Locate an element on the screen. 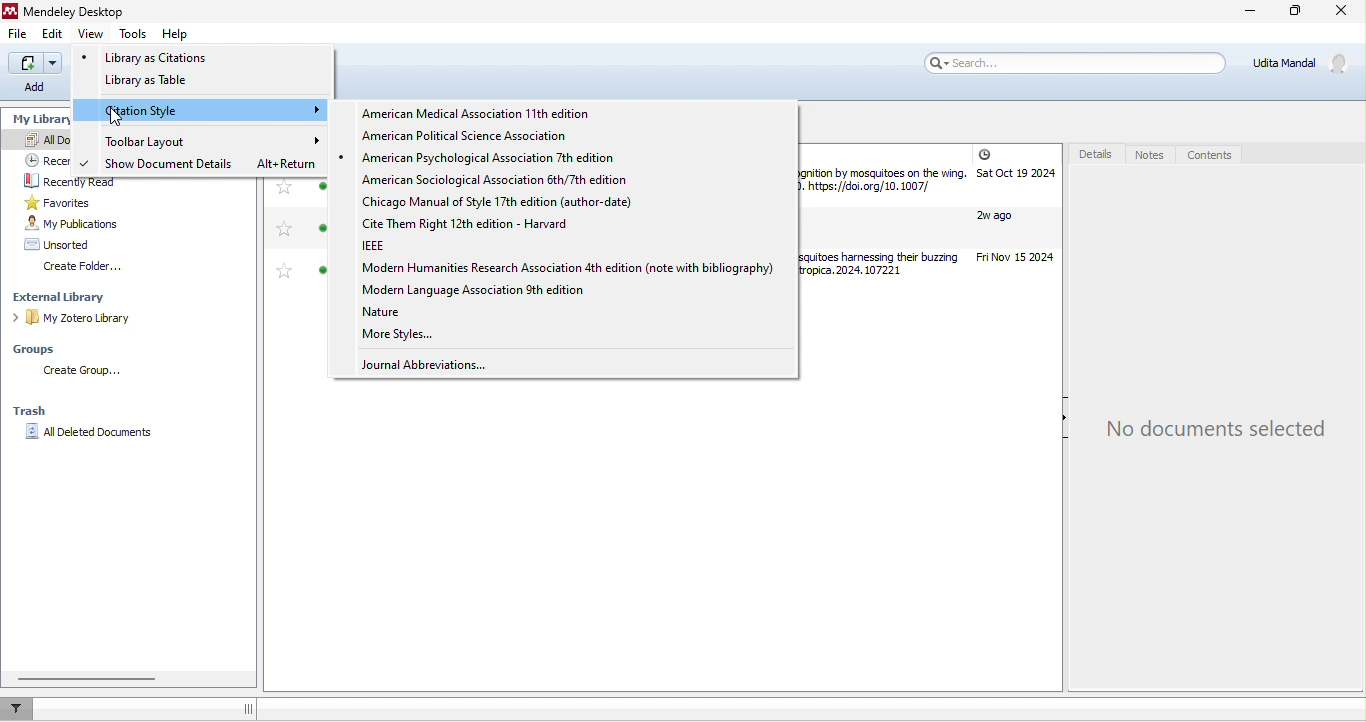 The height and width of the screenshot is (722, 1366). no document selected is located at coordinates (1218, 429).